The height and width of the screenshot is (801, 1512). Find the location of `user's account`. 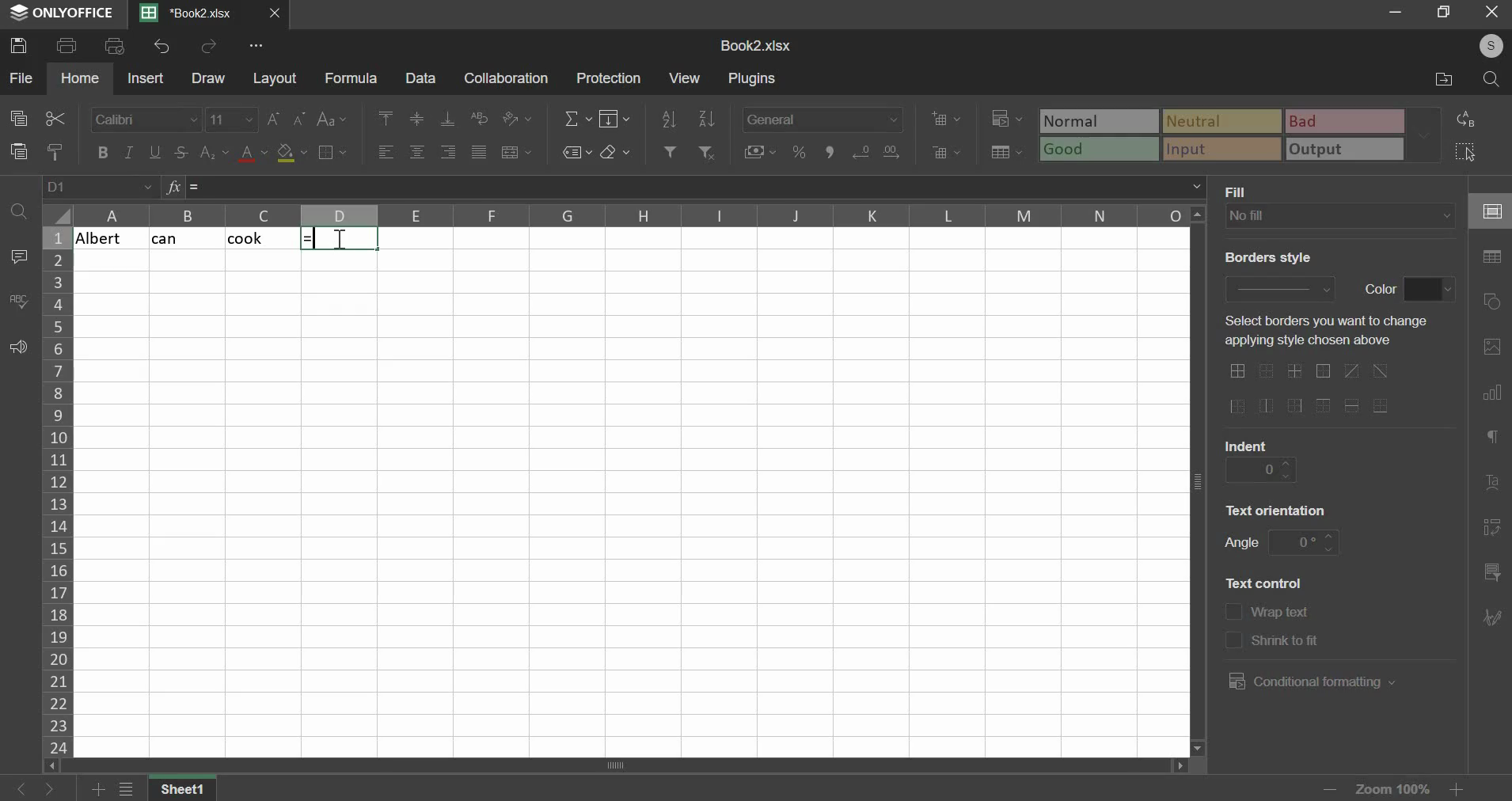

user's account is located at coordinates (1482, 44).